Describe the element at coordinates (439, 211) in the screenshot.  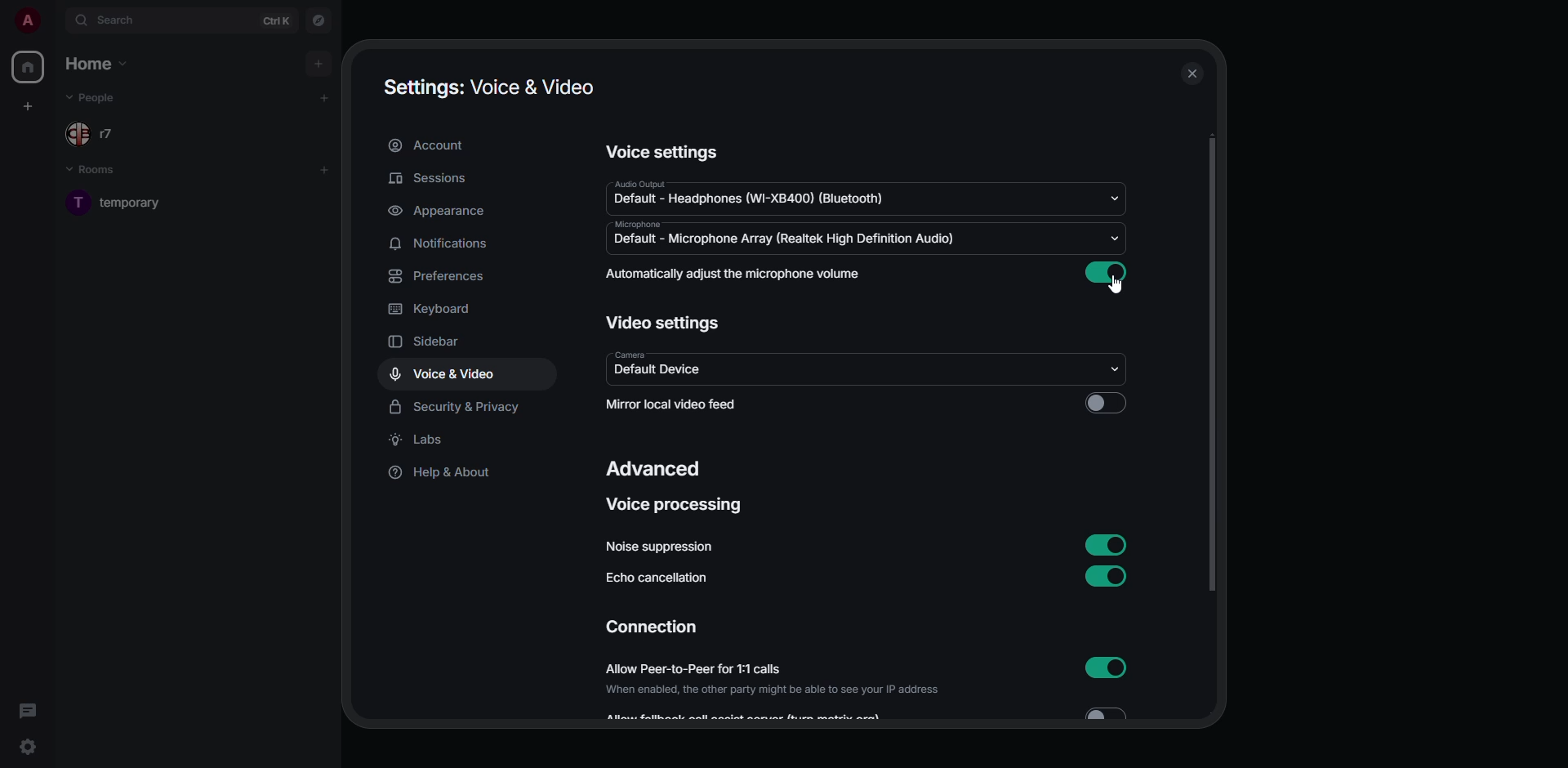
I see `appearance` at that location.